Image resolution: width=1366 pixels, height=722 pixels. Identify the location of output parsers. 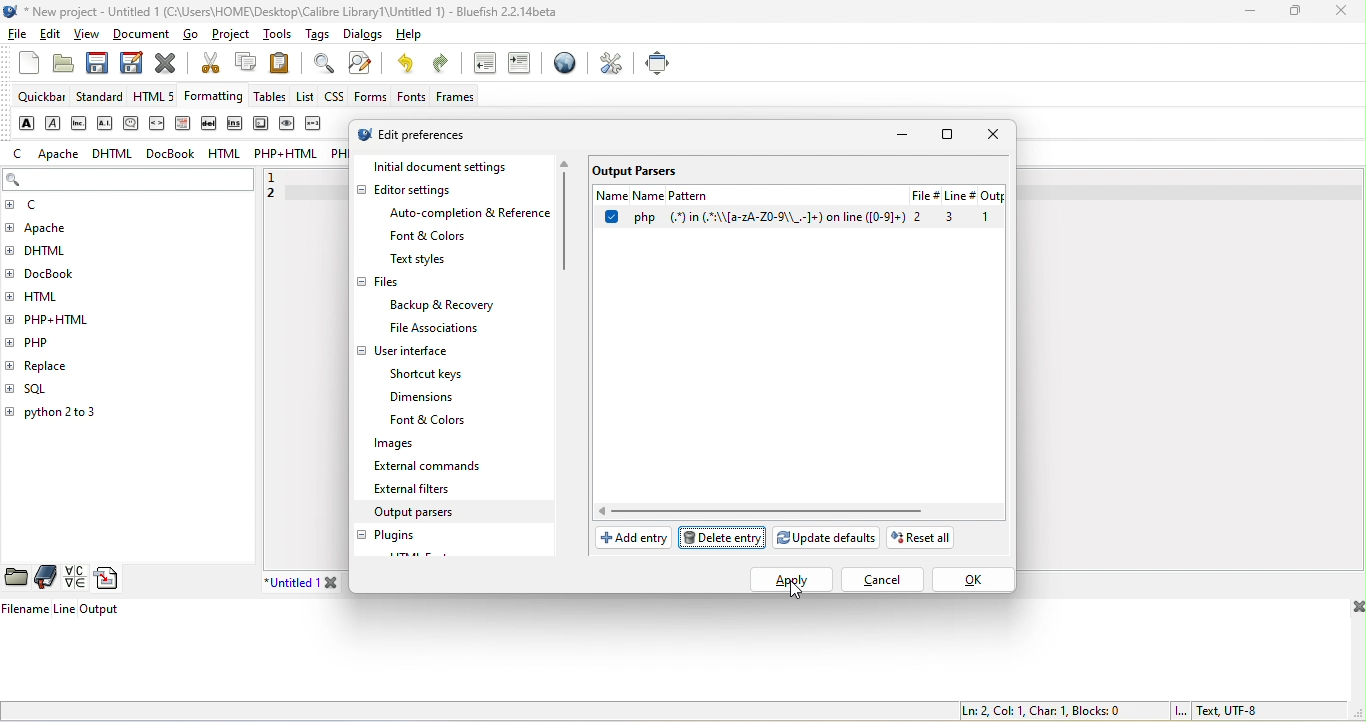
(636, 169).